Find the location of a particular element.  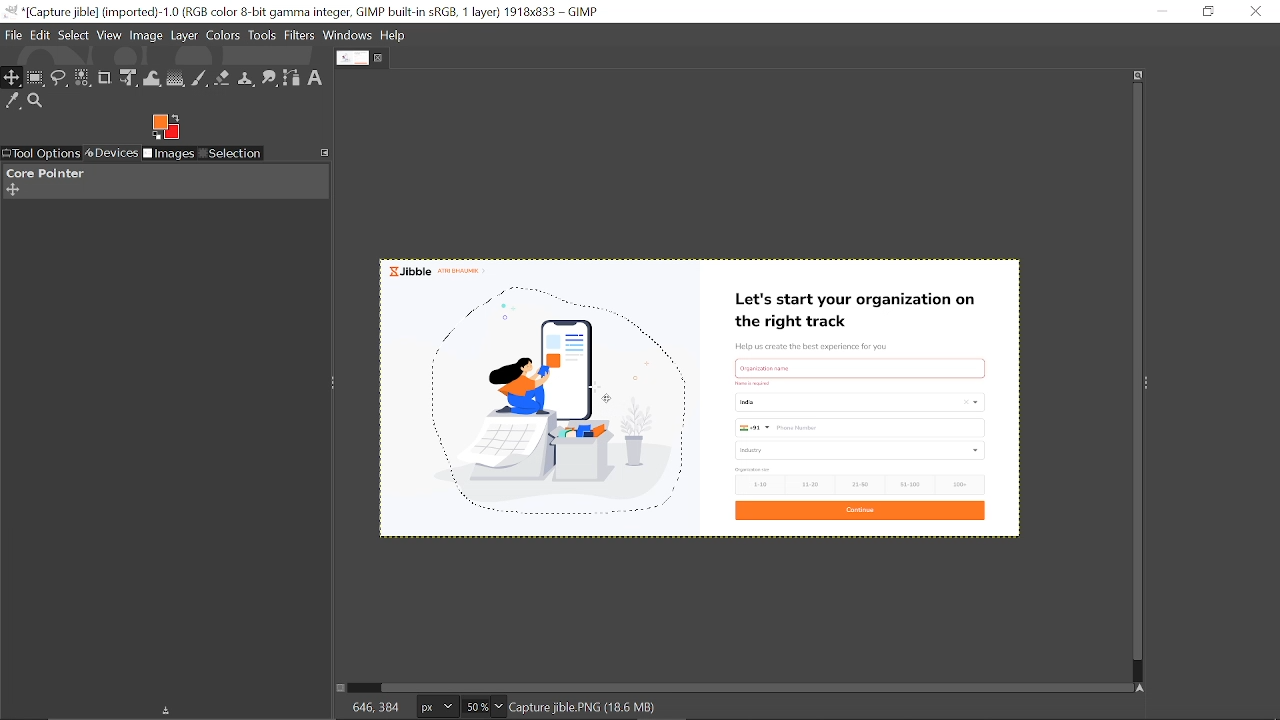

Cursor here is located at coordinates (601, 392).